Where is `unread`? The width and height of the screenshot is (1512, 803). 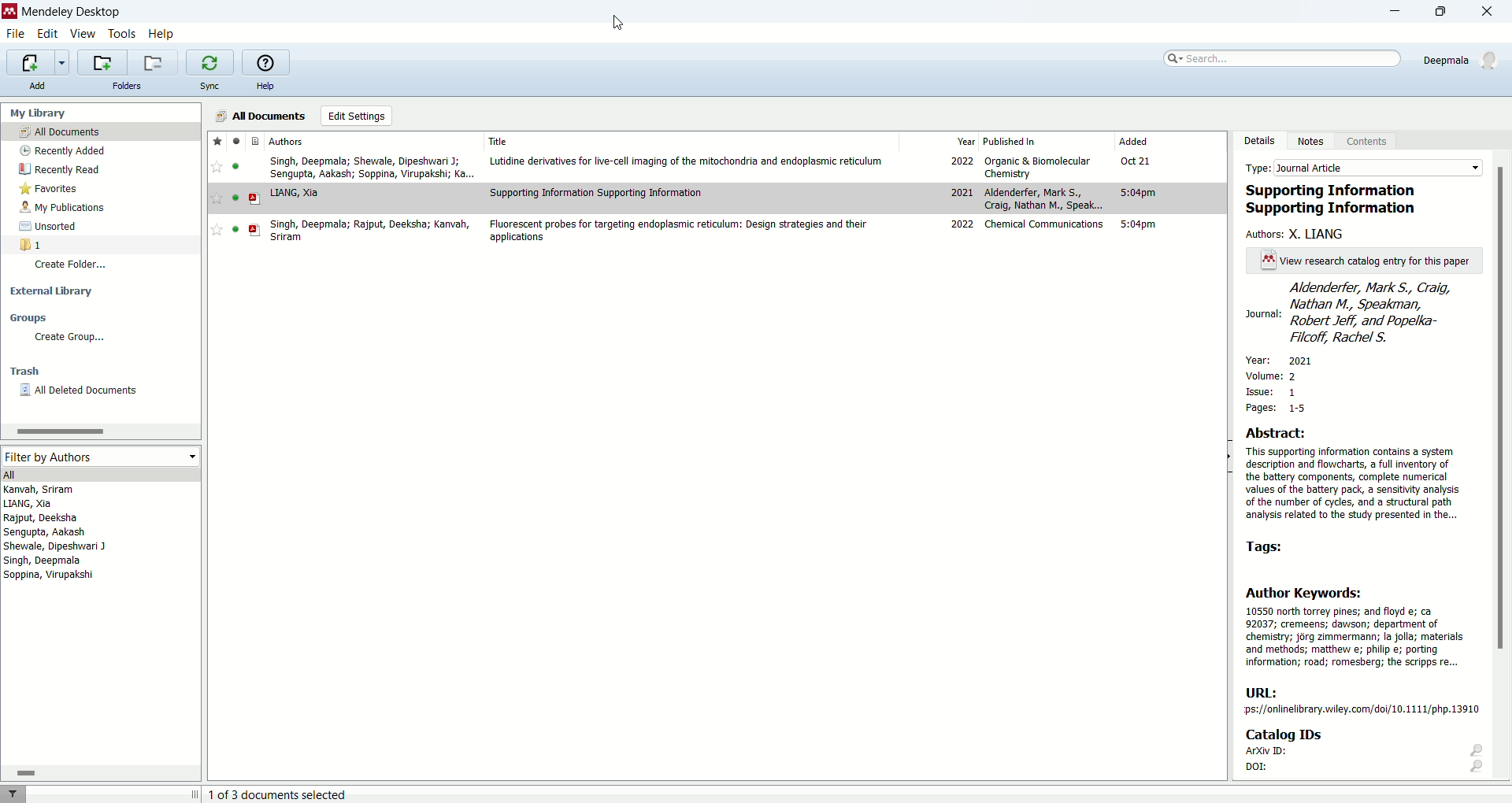 unread is located at coordinates (235, 166).